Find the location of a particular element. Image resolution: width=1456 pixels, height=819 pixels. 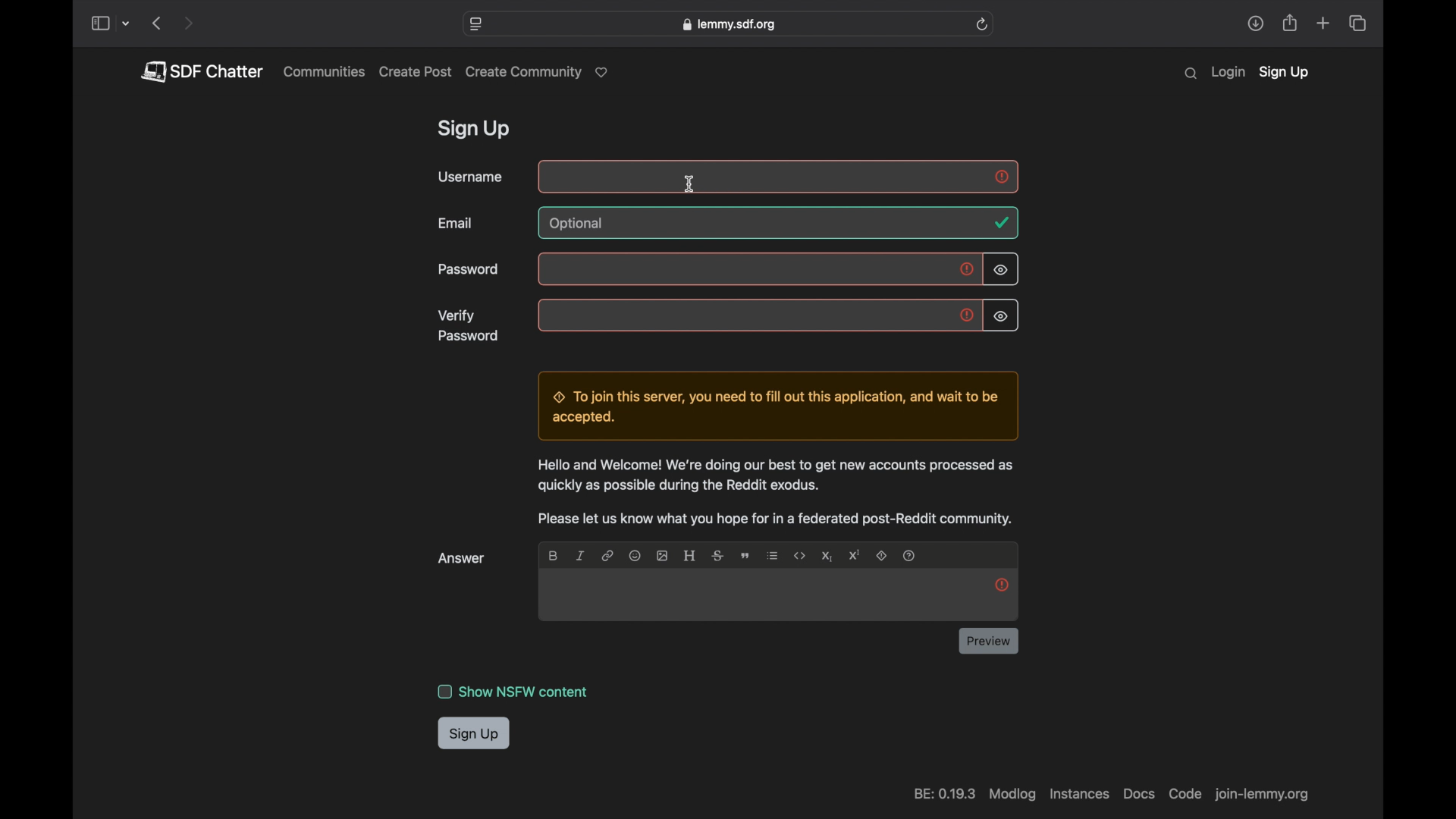

create post is located at coordinates (416, 72).